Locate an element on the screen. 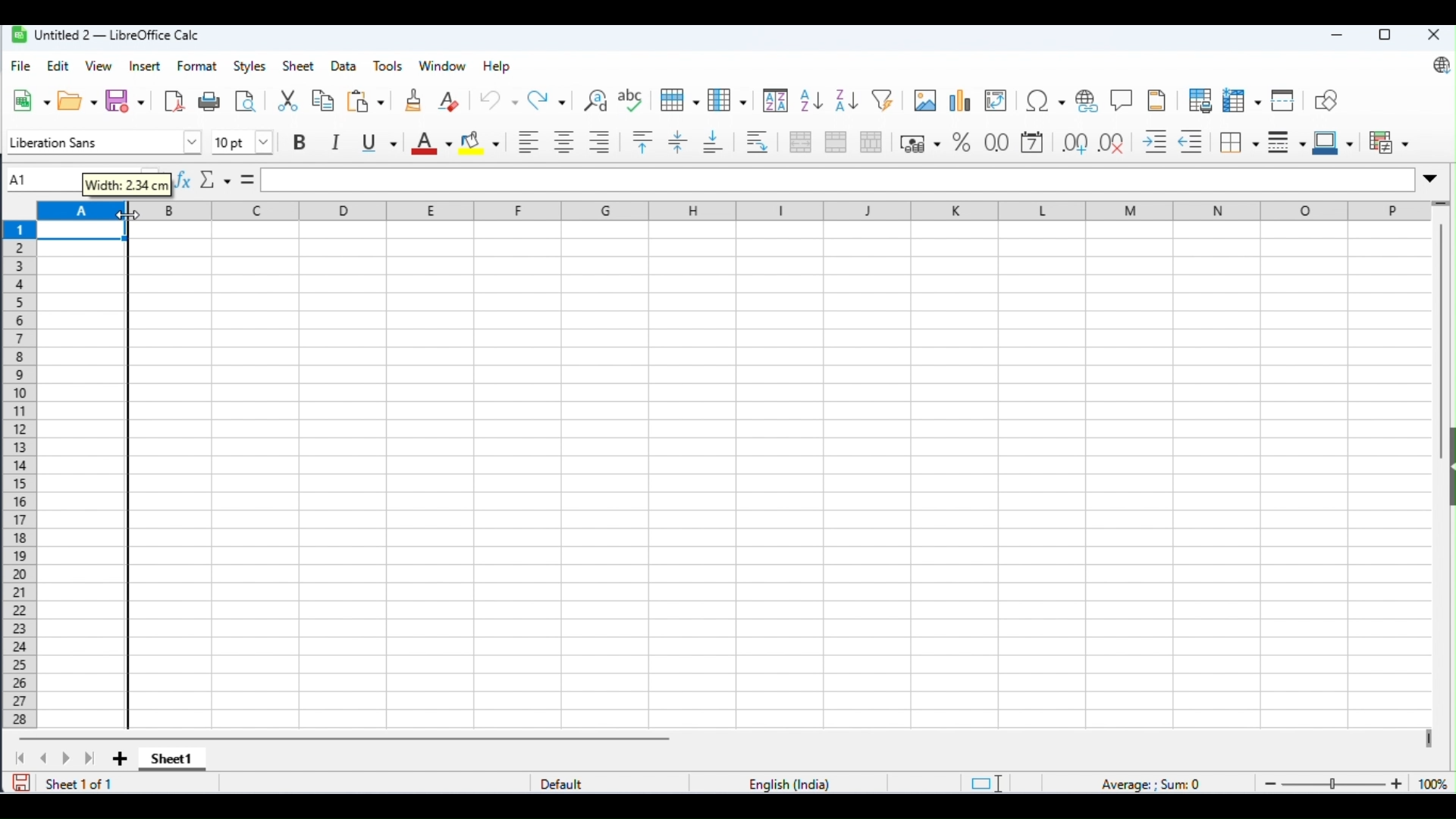  border style is located at coordinates (1288, 140).